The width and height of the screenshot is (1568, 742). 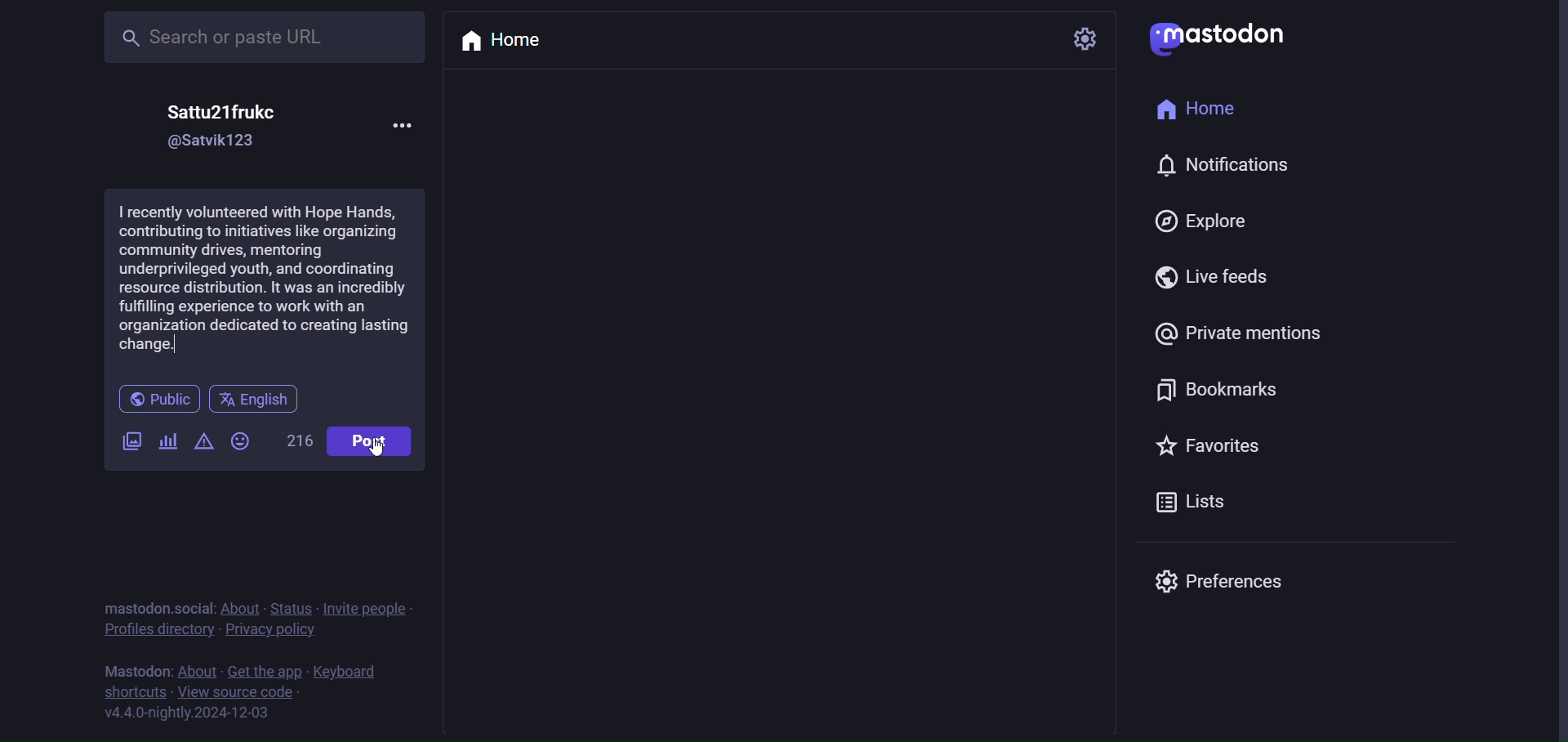 What do you see at coordinates (1211, 445) in the screenshot?
I see `favorites` at bounding box center [1211, 445].